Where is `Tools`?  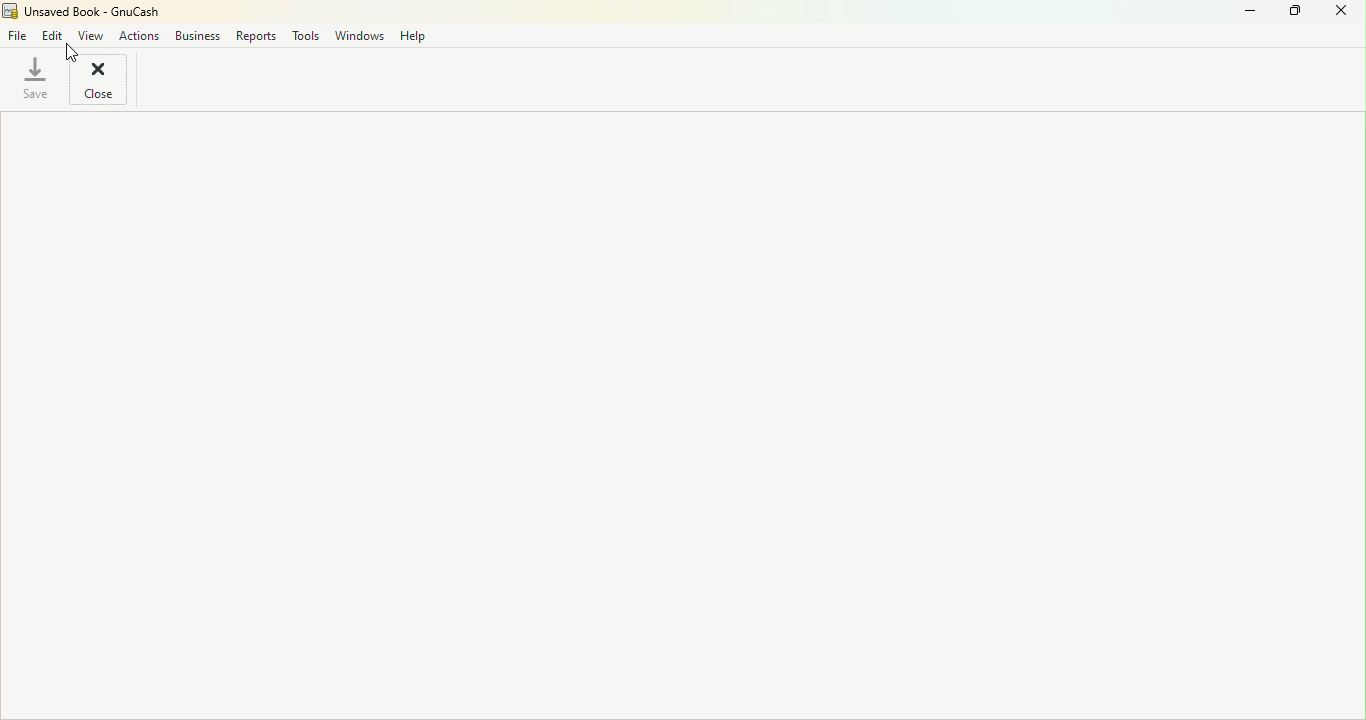 Tools is located at coordinates (306, 38).